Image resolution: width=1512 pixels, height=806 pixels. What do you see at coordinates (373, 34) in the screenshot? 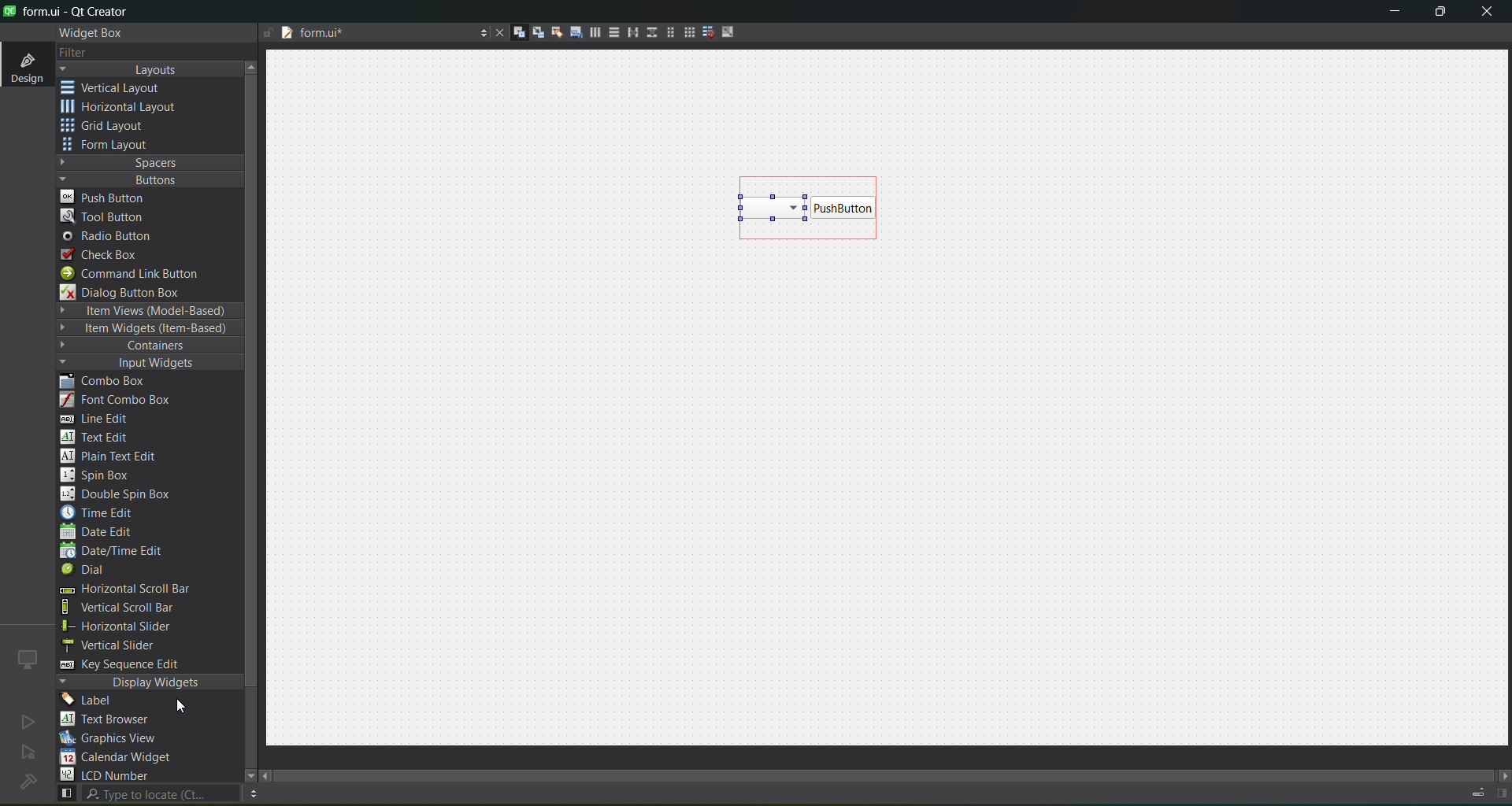
I see `tab name` at bounding box center [373, 34].